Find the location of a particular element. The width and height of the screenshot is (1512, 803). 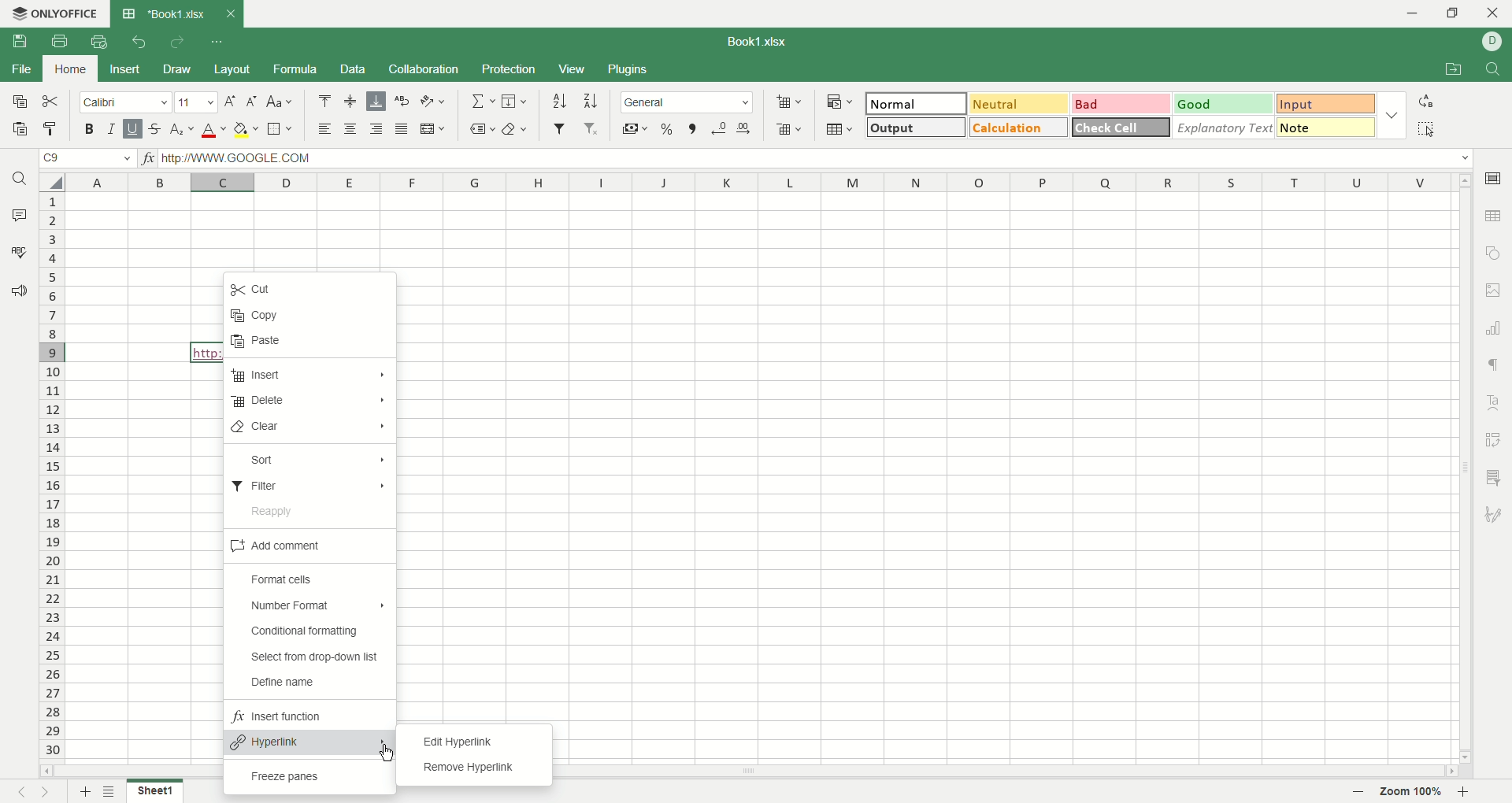

align middle is located at coordinates (350, 100).